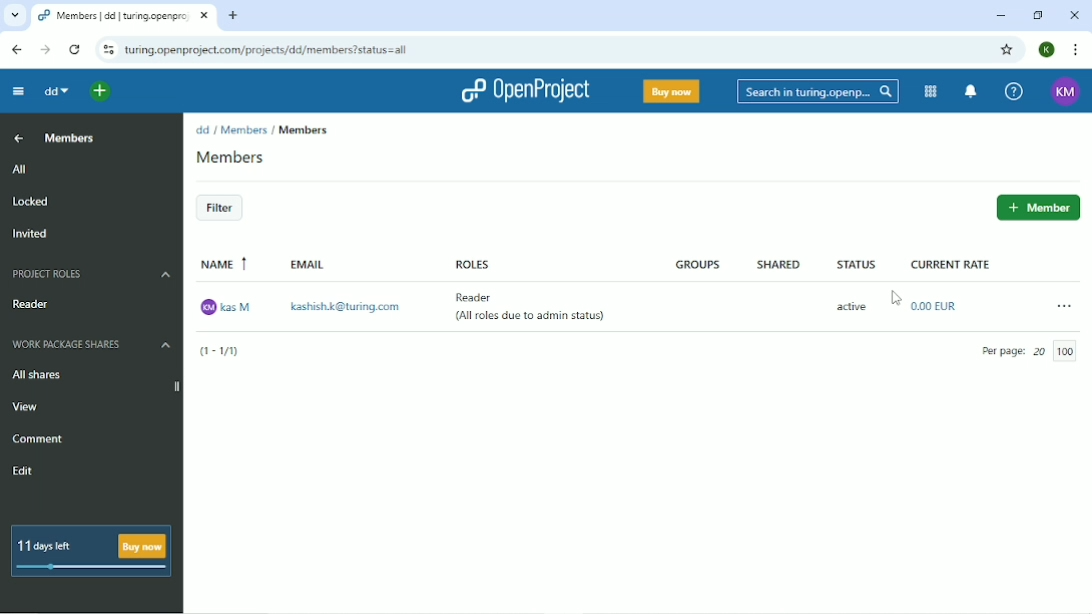  What do you see at coordinates (958, 267) in the screenshot?
I see `Current rate` at bounding box center [958, 267].